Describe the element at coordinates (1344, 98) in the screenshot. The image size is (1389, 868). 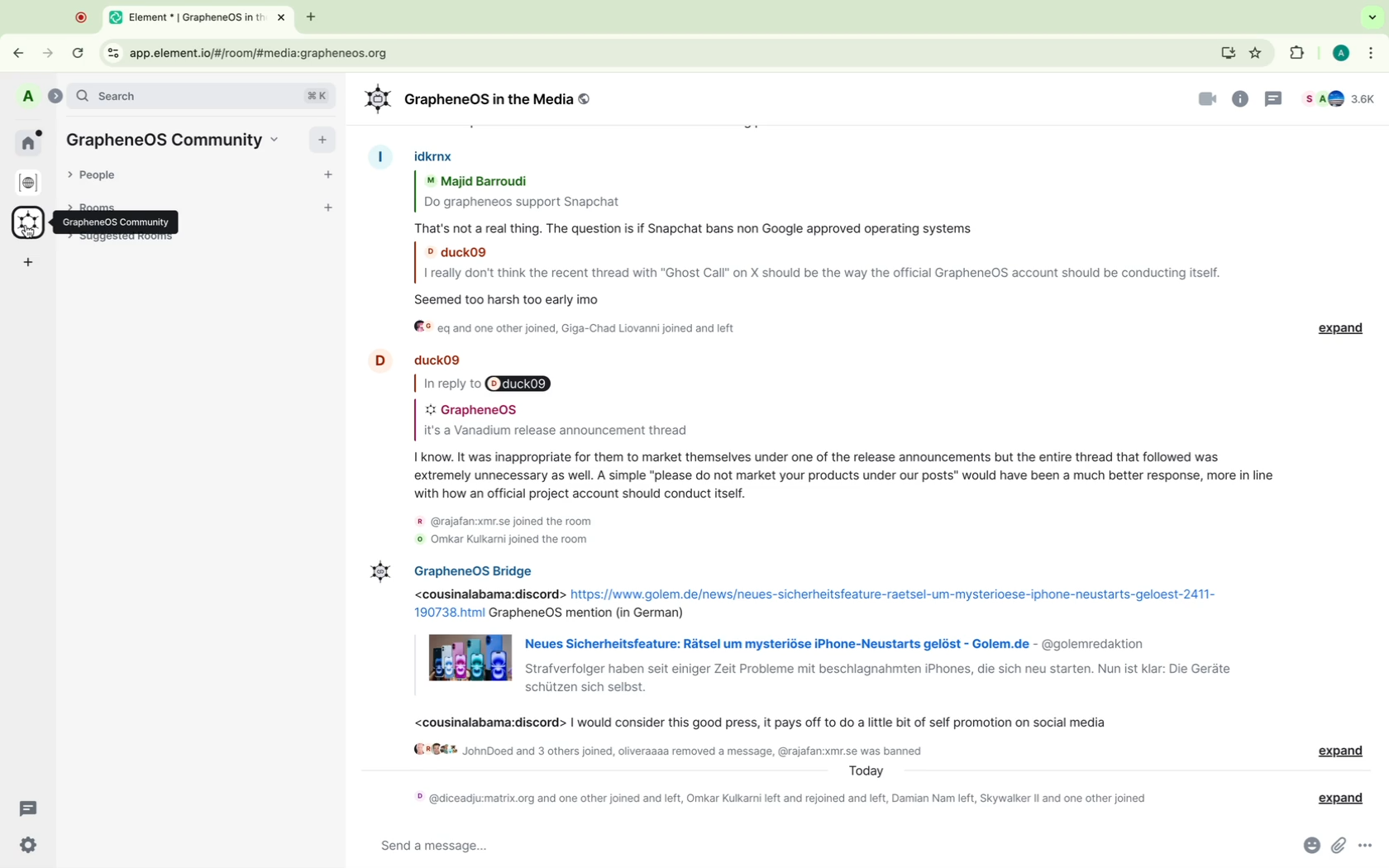
I see `members` at that location.